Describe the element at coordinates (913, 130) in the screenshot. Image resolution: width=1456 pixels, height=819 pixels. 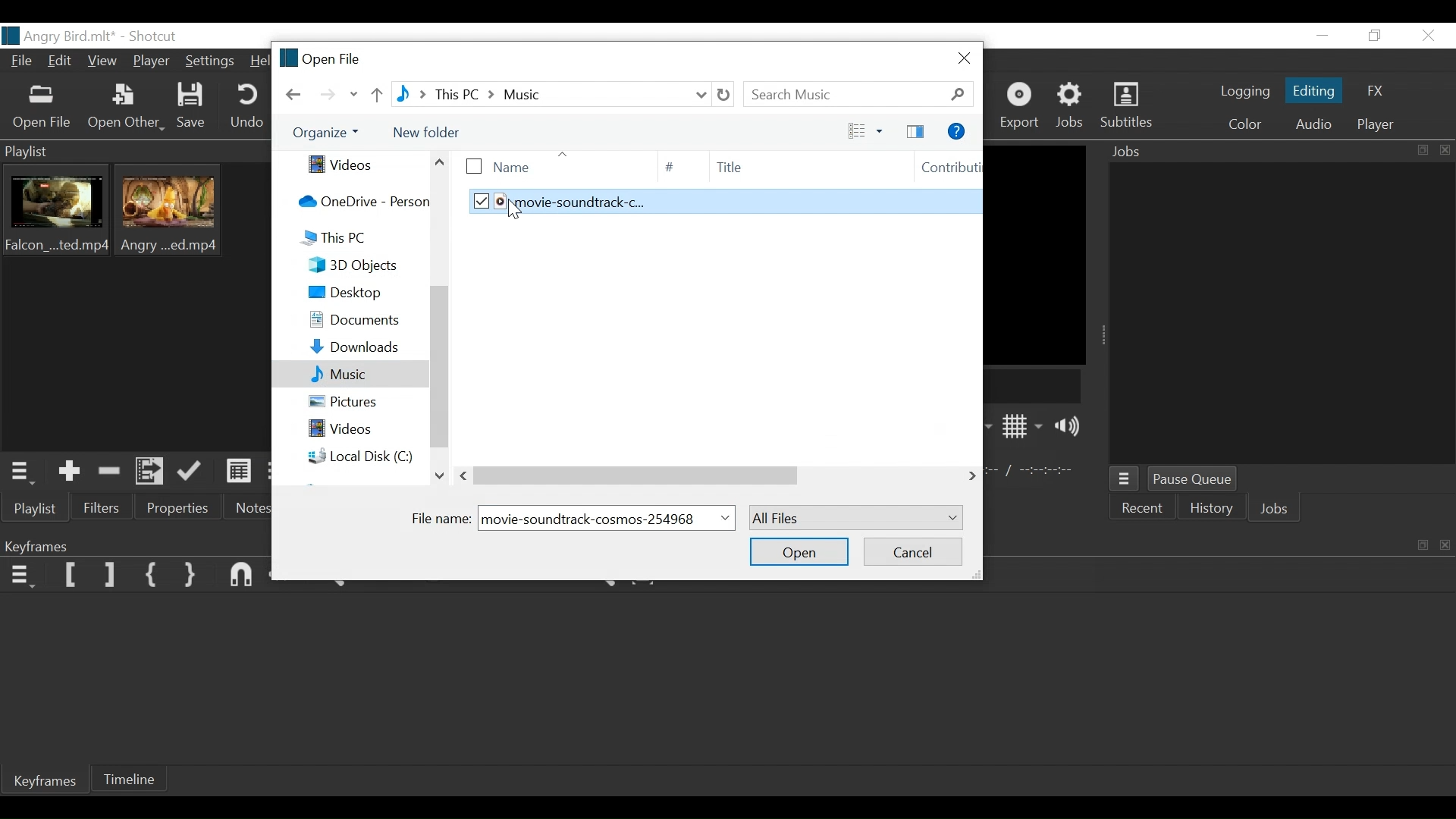
I see `sidebar` at that location.